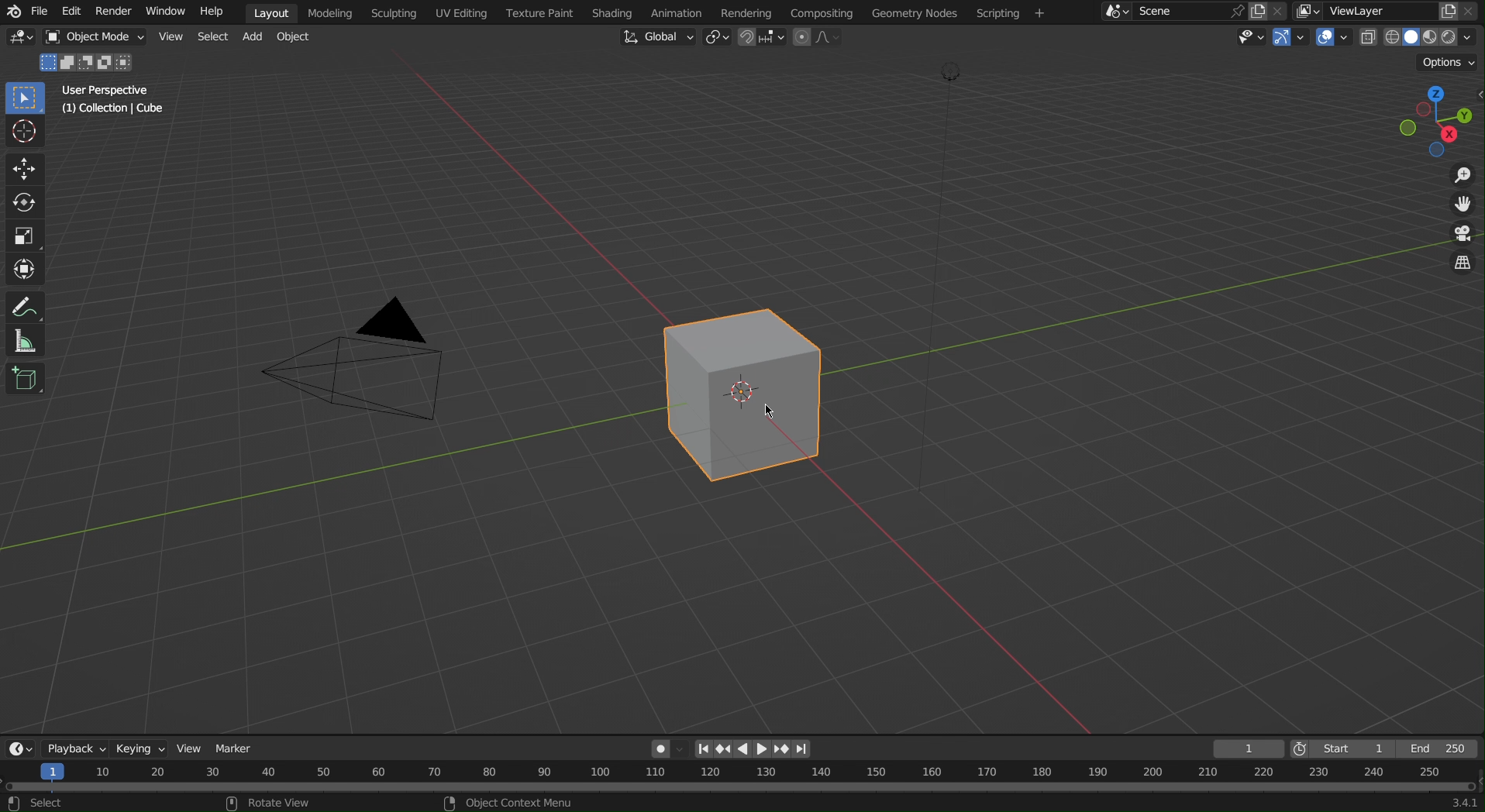 This screenshot has height=812, width=1485. What do you see at coordinates (27, 303) in the screenshot?
I see `Annotate` at bounding box center [27, 303].